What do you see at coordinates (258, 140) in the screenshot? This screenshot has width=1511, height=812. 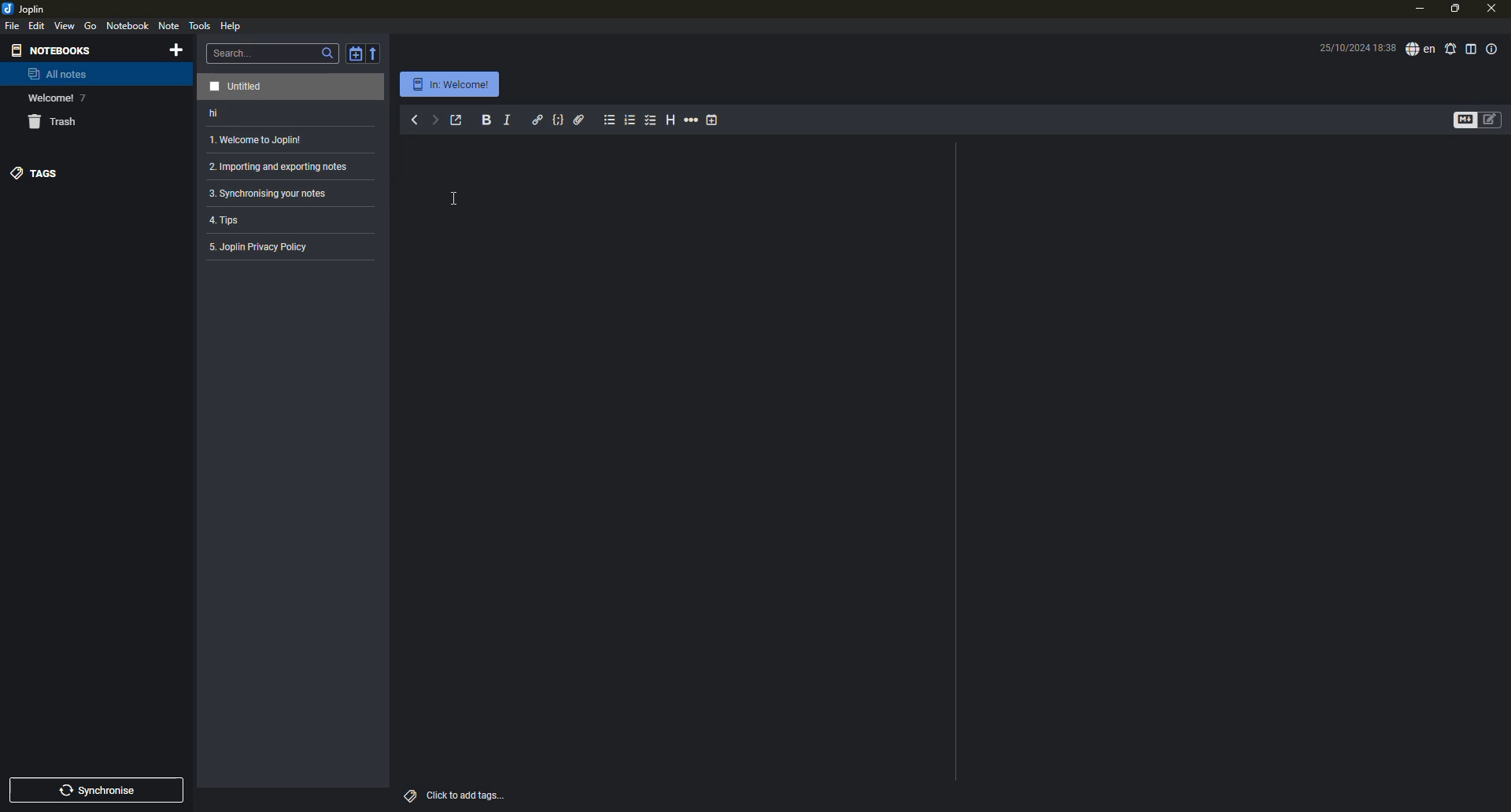 I see `1. Welcome to Joplin!` at bounding box center [258, 140].